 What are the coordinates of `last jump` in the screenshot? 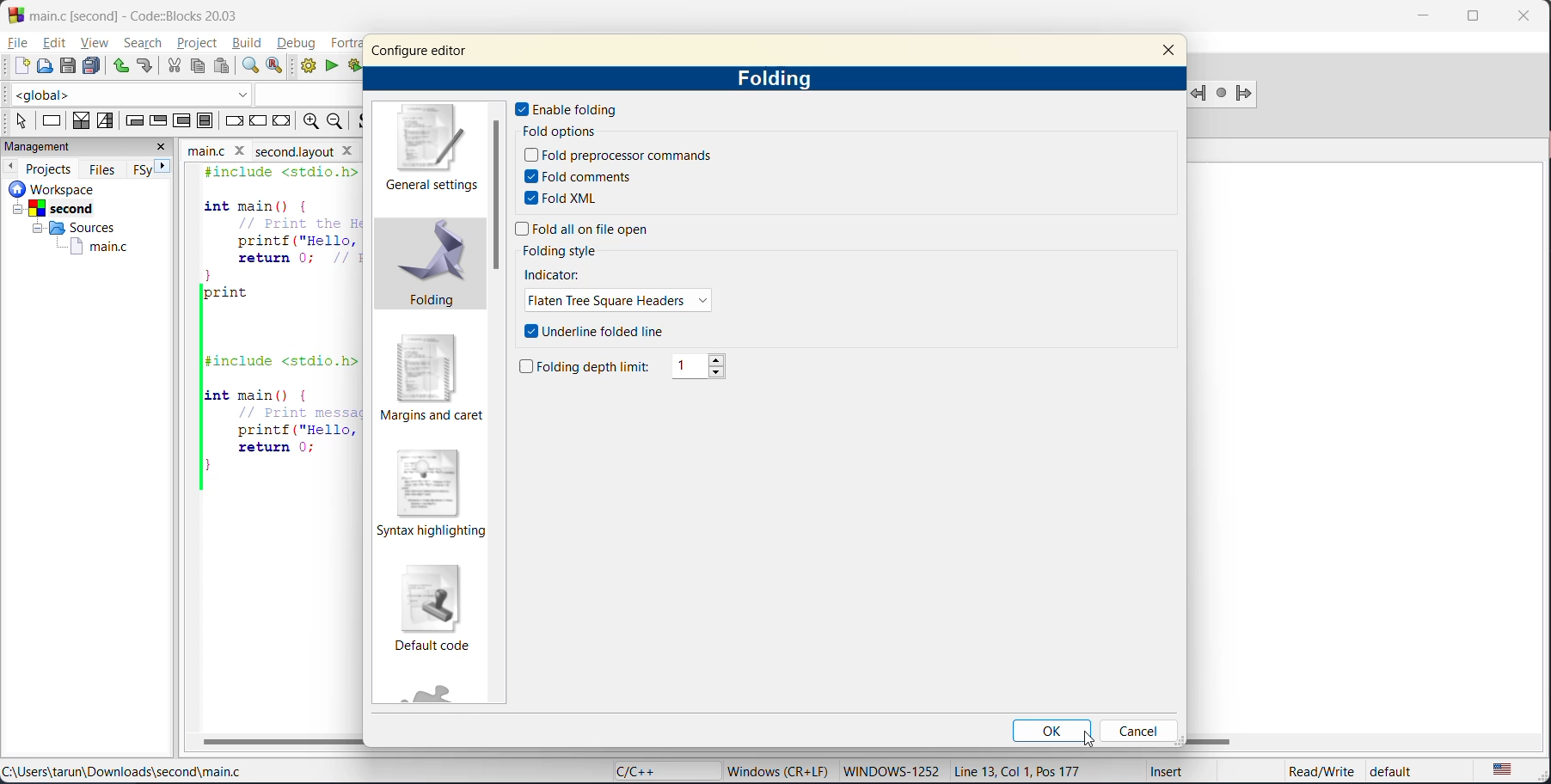 It's located at (1223, 93).